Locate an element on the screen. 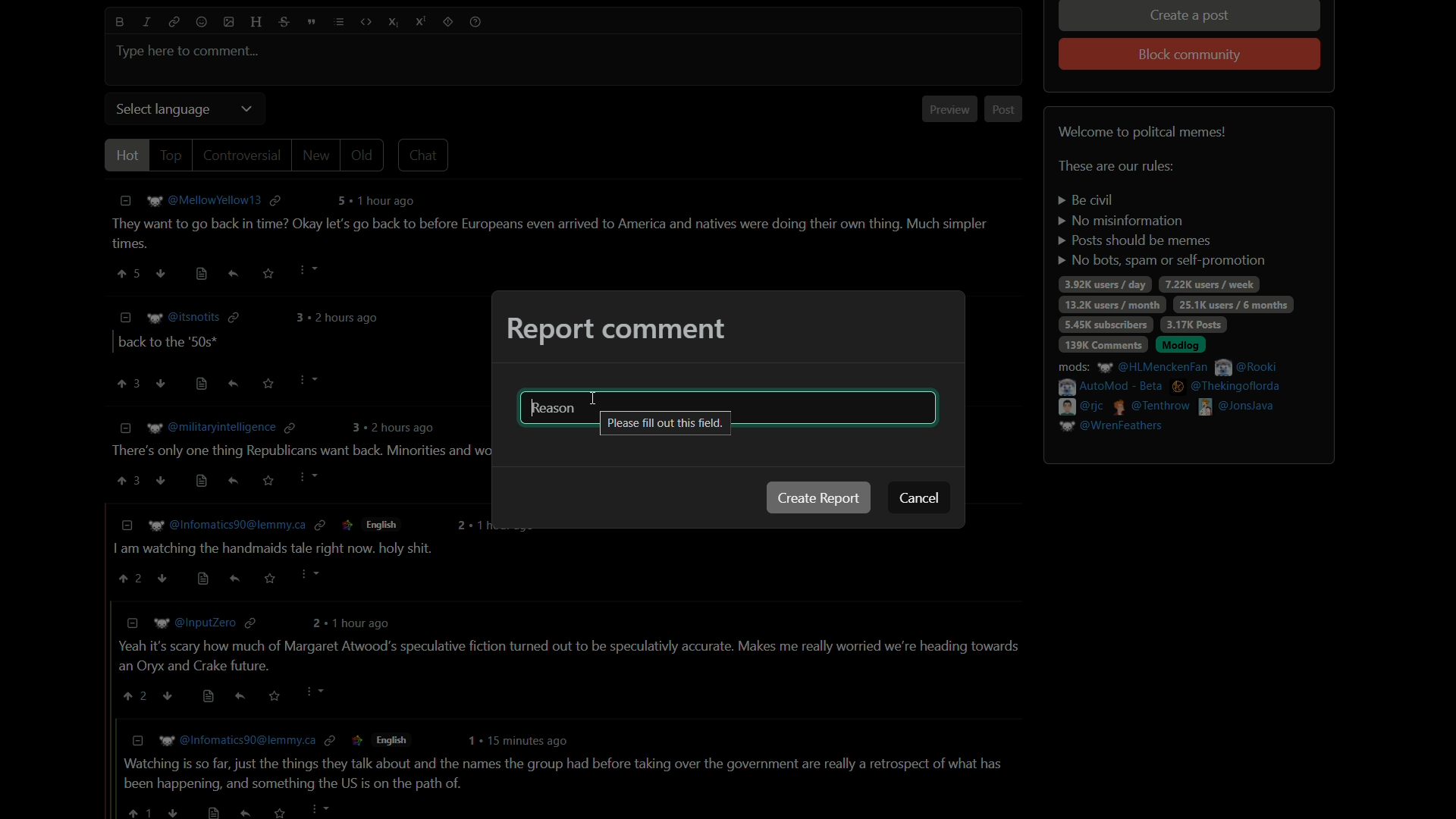 The image size is (1456, 819). create report is located at coordinates (817, 497).